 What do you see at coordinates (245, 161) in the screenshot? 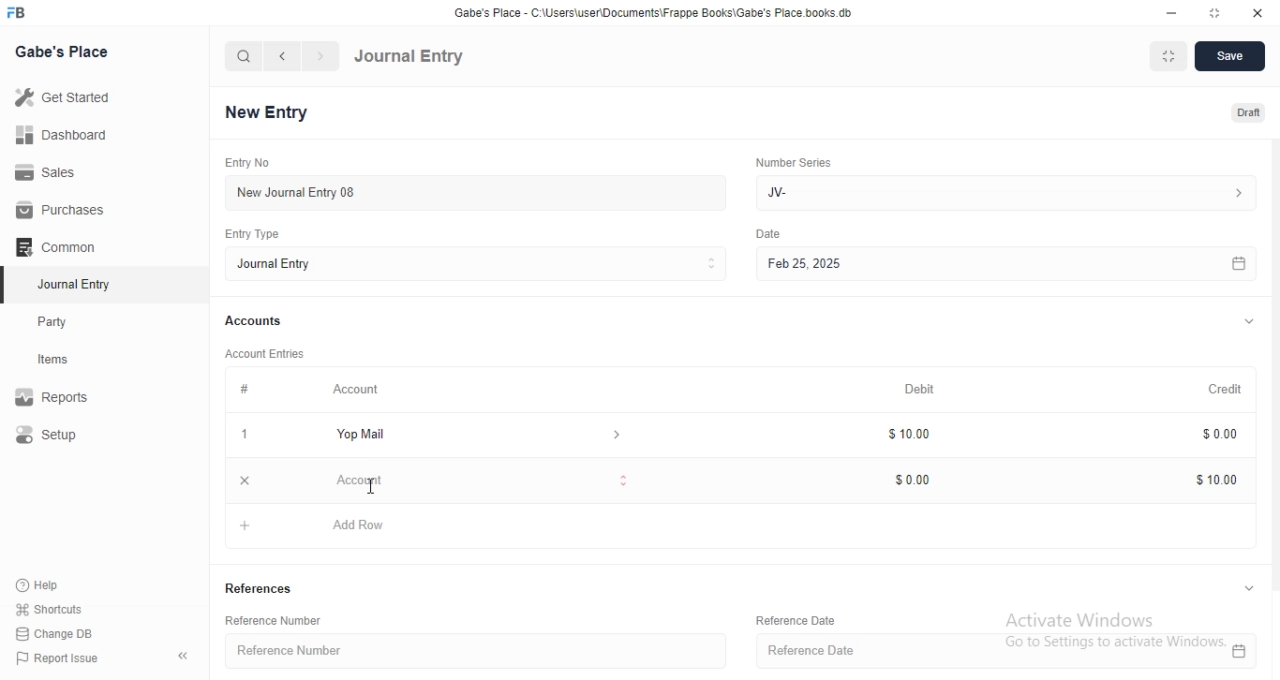
I see `Entry No` at bounding box center [245, 161].